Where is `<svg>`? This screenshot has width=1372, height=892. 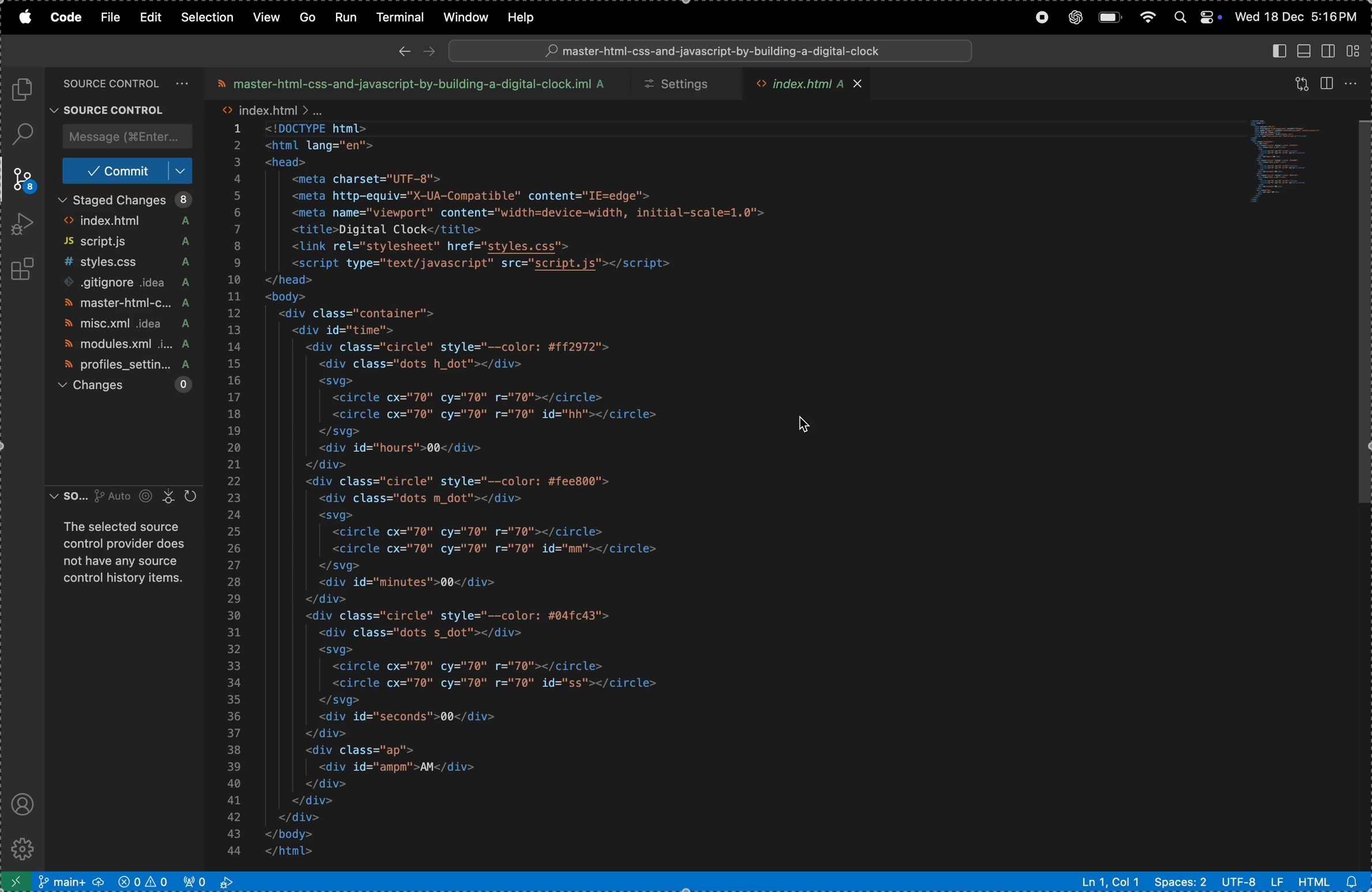
<svg> is located at coordinates (361, 651).